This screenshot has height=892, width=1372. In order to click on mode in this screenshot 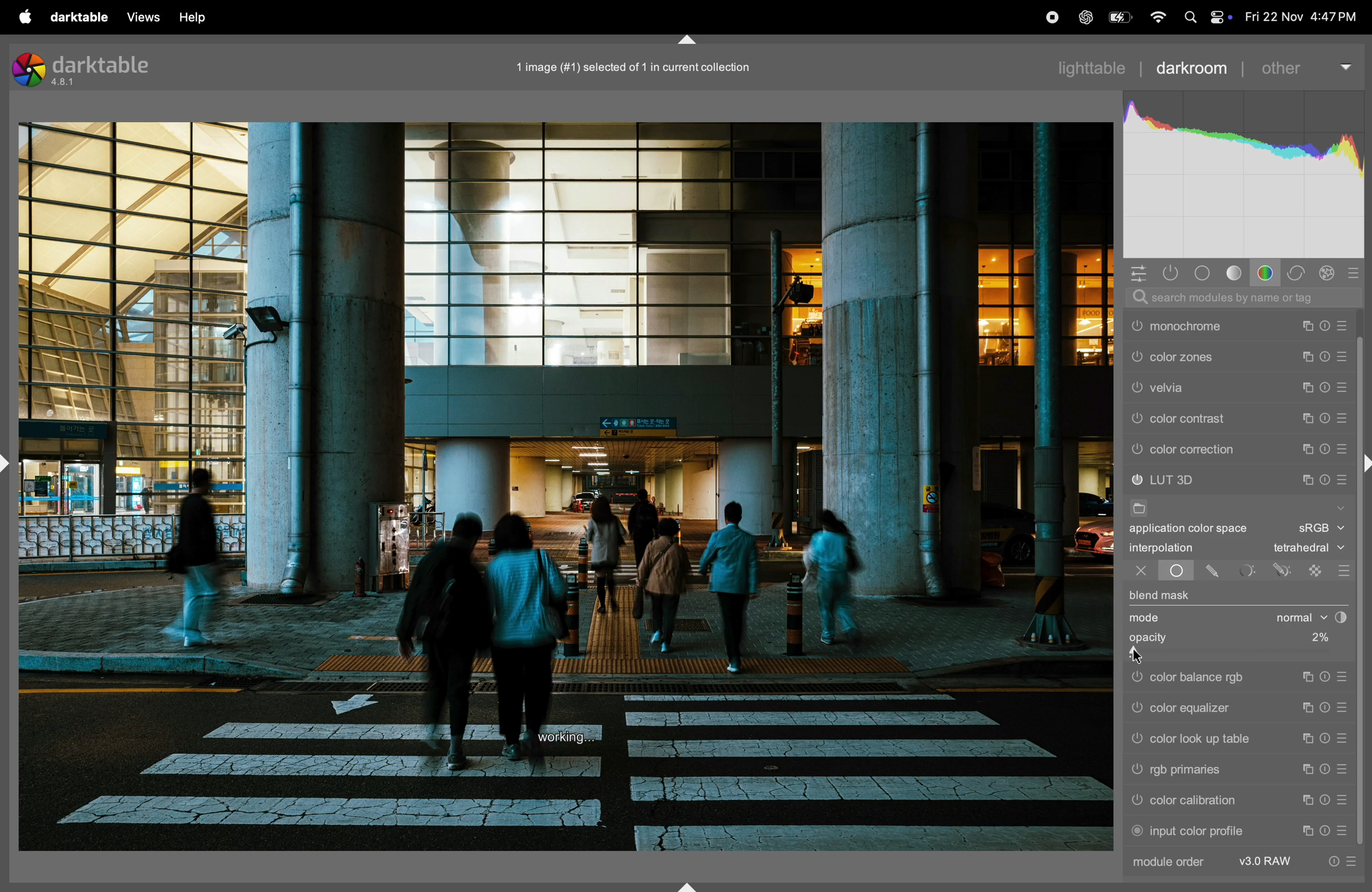, I will do `click(1146, 619)`.